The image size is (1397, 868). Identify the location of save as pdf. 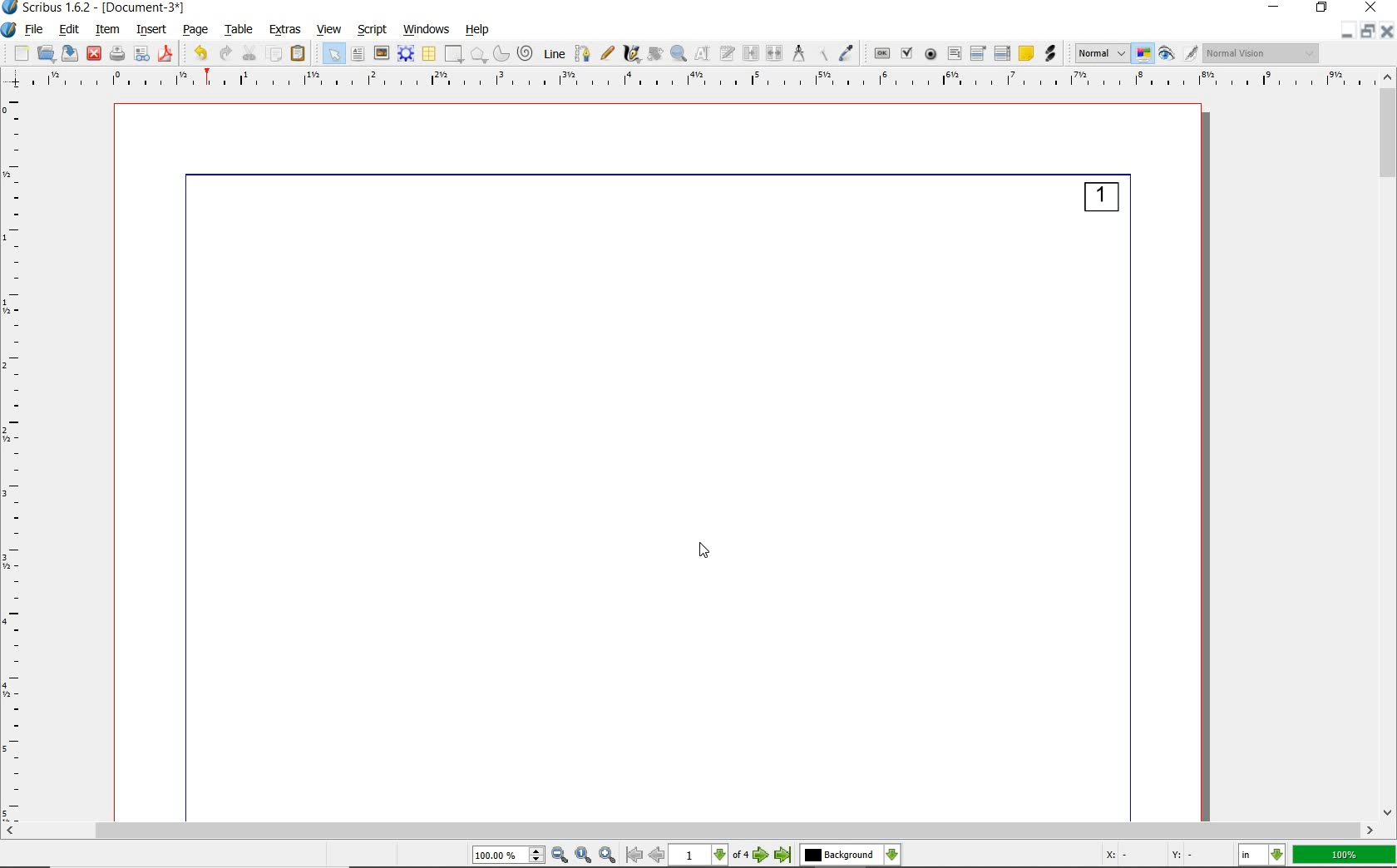
(165, 55).